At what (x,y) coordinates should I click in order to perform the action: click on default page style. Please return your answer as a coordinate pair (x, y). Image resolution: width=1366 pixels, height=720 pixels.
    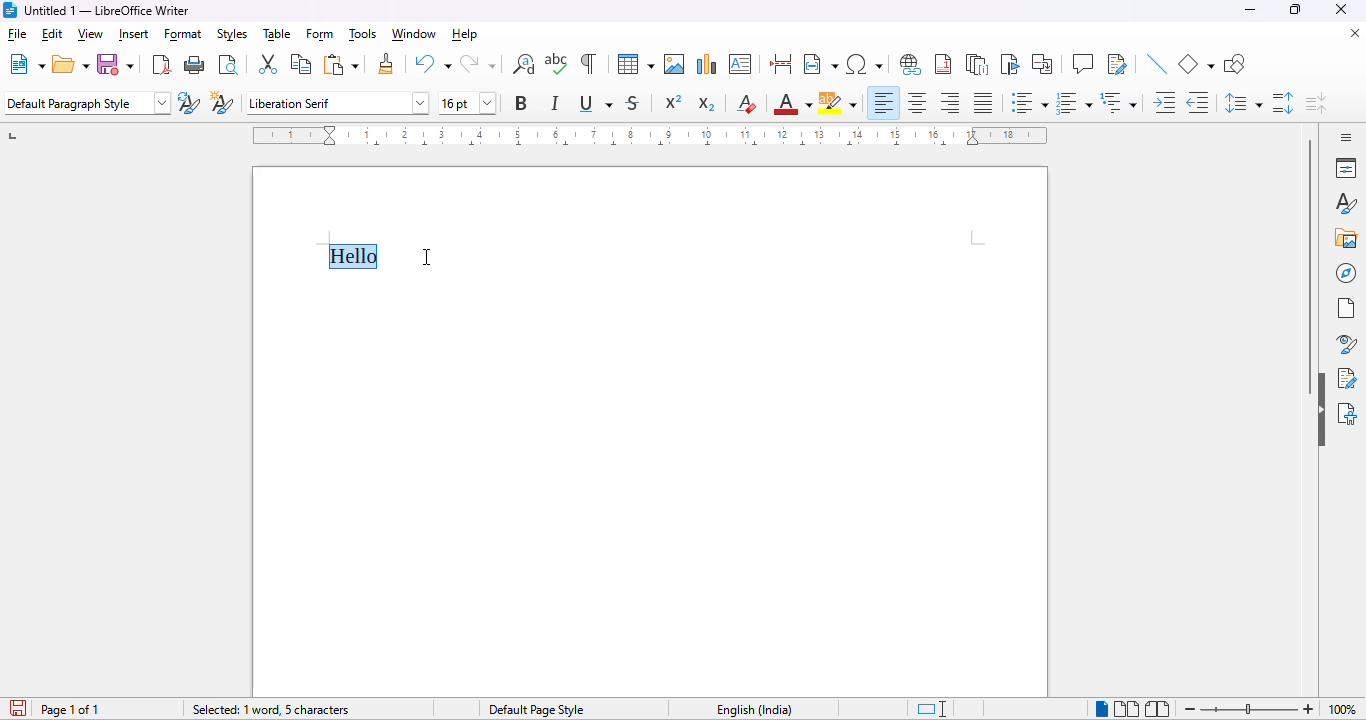
    Looking at the image, I should click on (536, 710).